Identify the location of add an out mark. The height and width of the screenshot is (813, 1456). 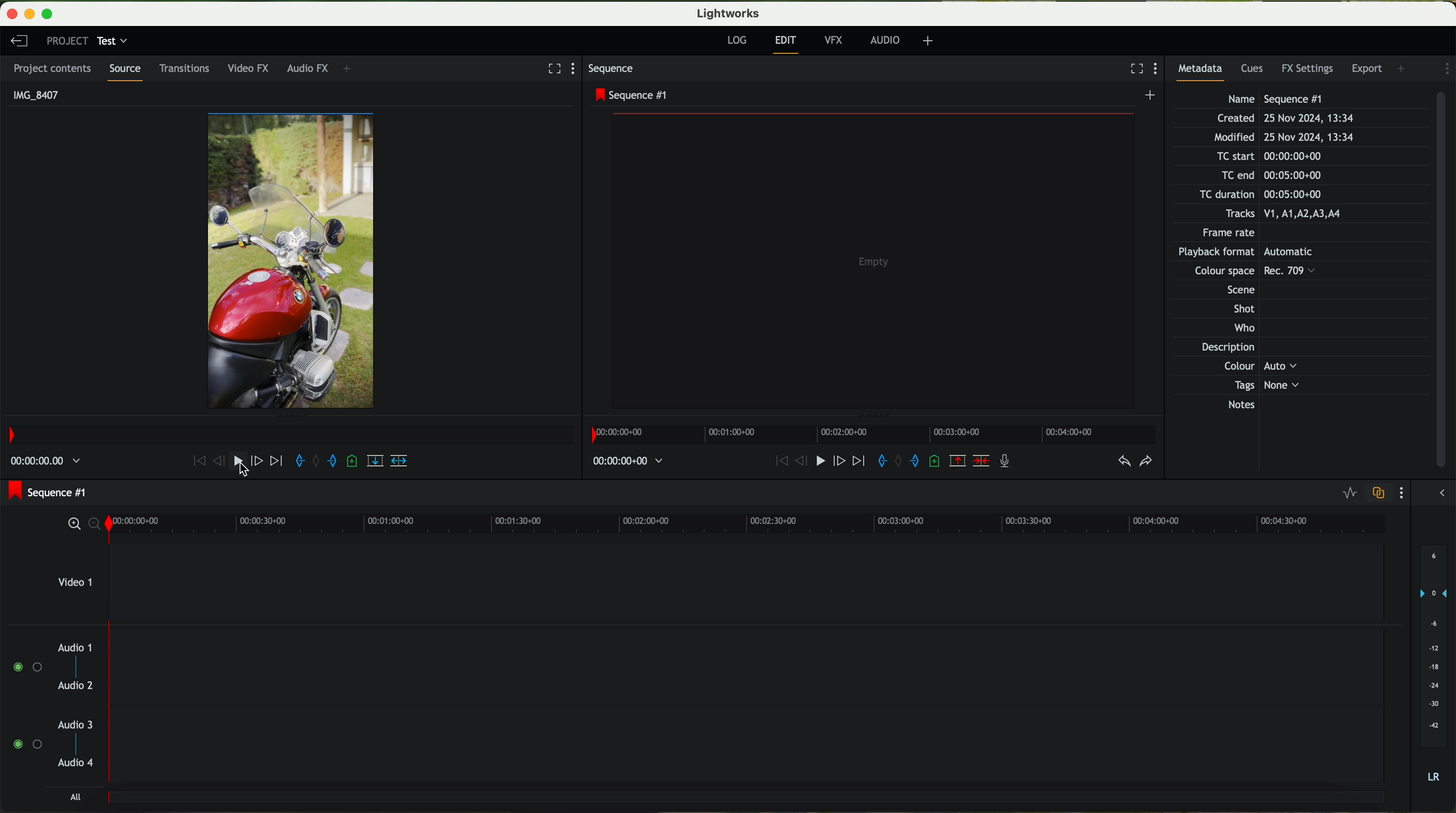
(332, 464).